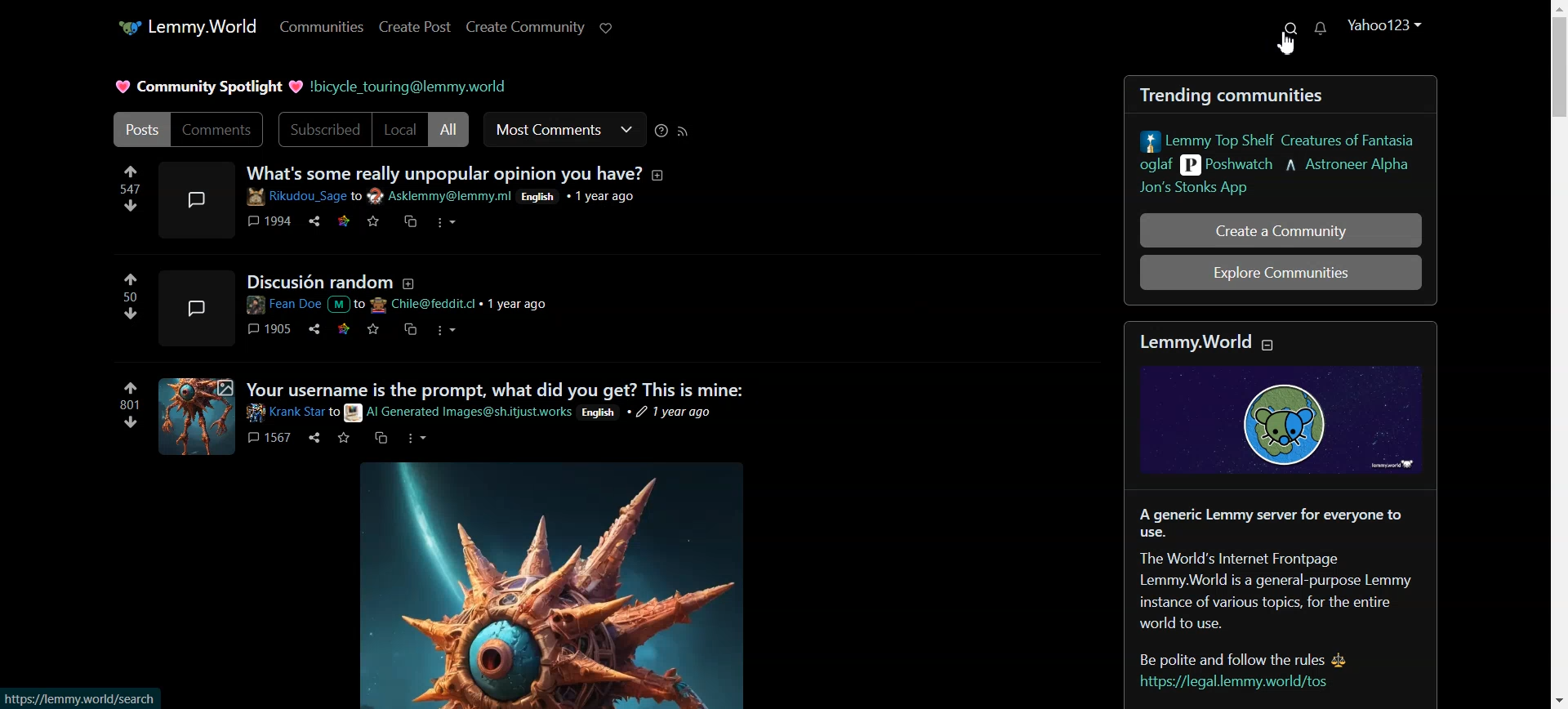 The width and height of the screenshot is (1568, 709). I want to click on Create Post, so click(415, 27).